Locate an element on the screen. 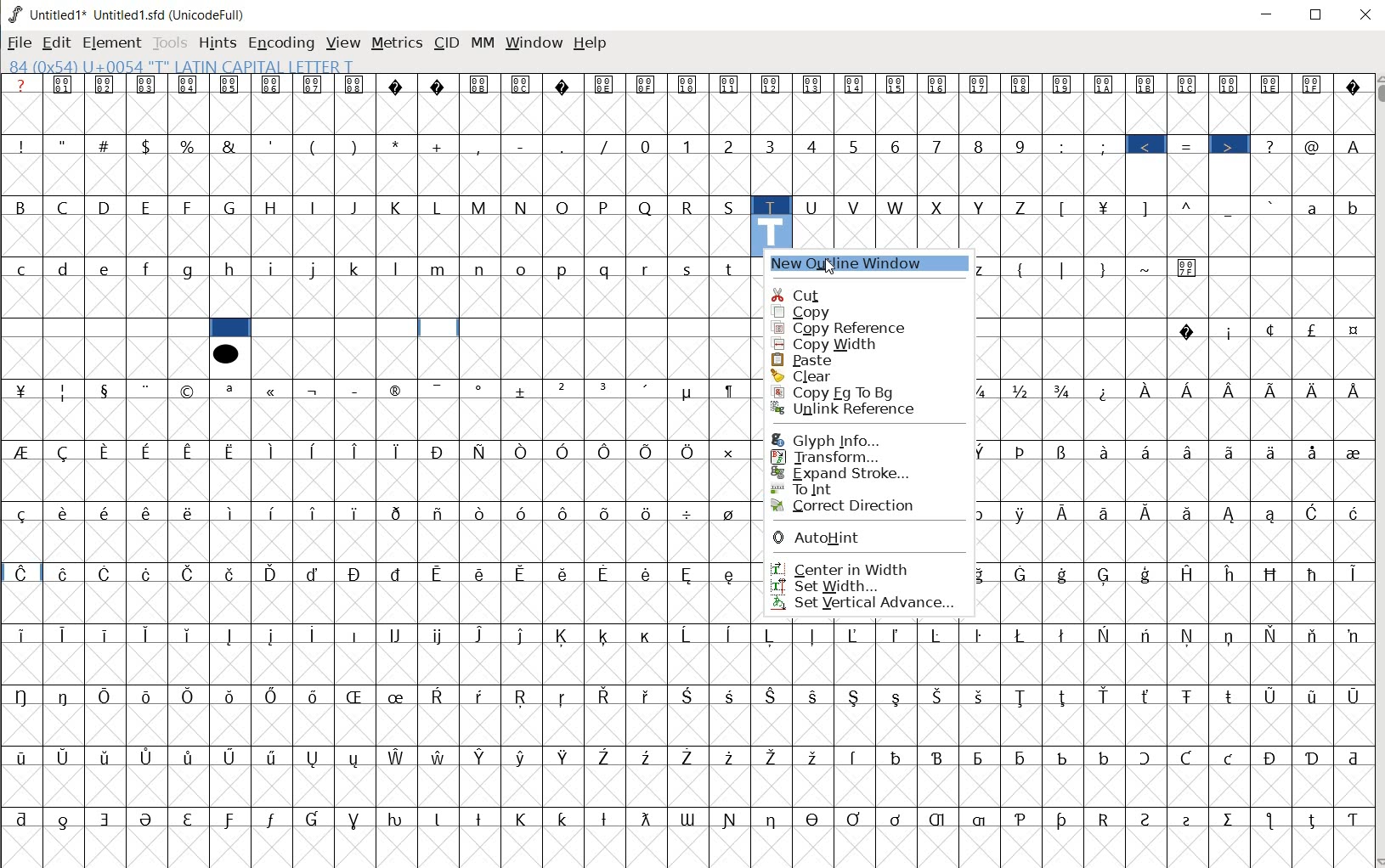 Image resolution: width=1385 pixels, height=868 pixels. Symbol is located at coordinates (1313, 636).